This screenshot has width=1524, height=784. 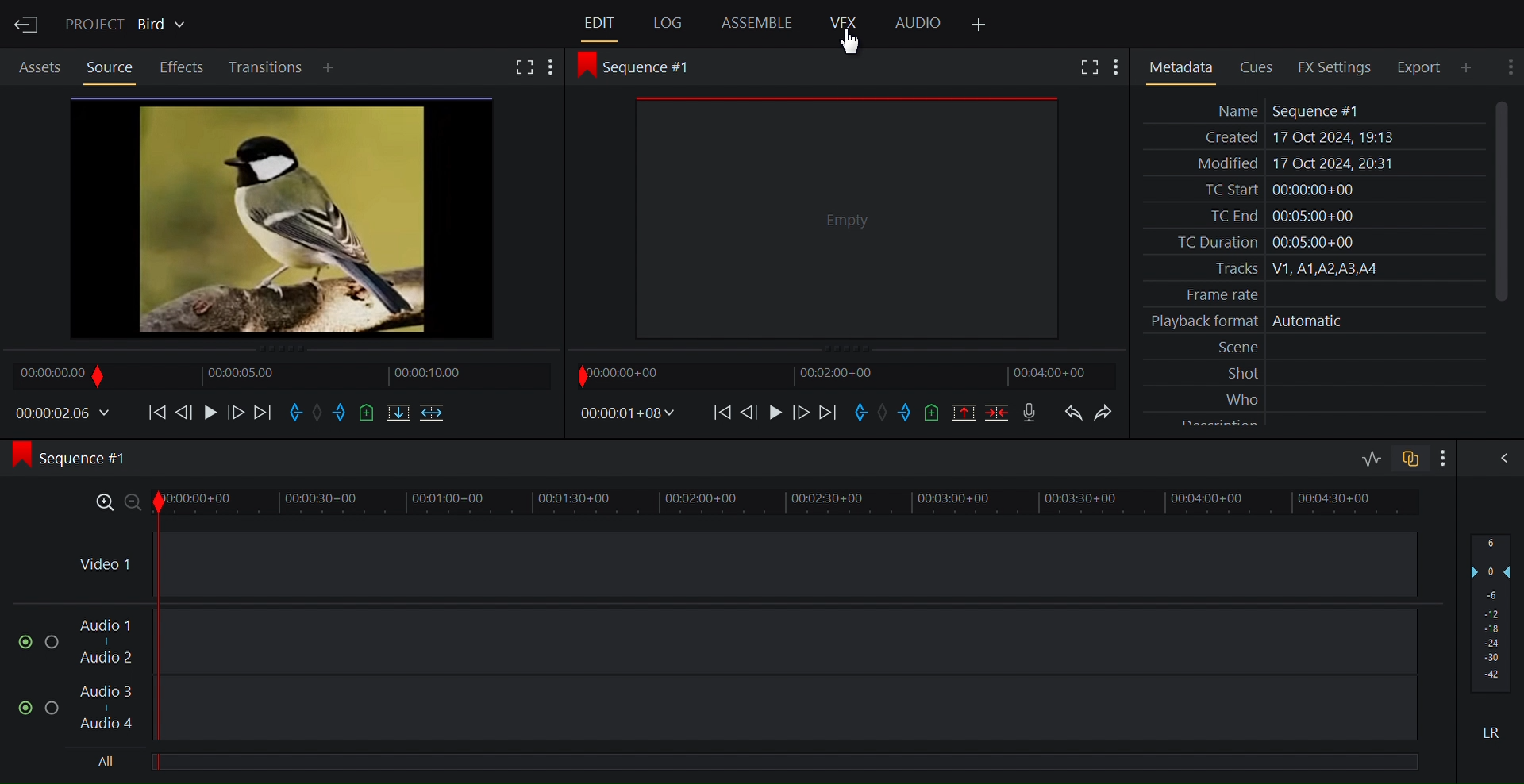 What do you see at coordinates (156, 412) in the screenshot?
I see `Move backwards` at bounding box center [156, 412].